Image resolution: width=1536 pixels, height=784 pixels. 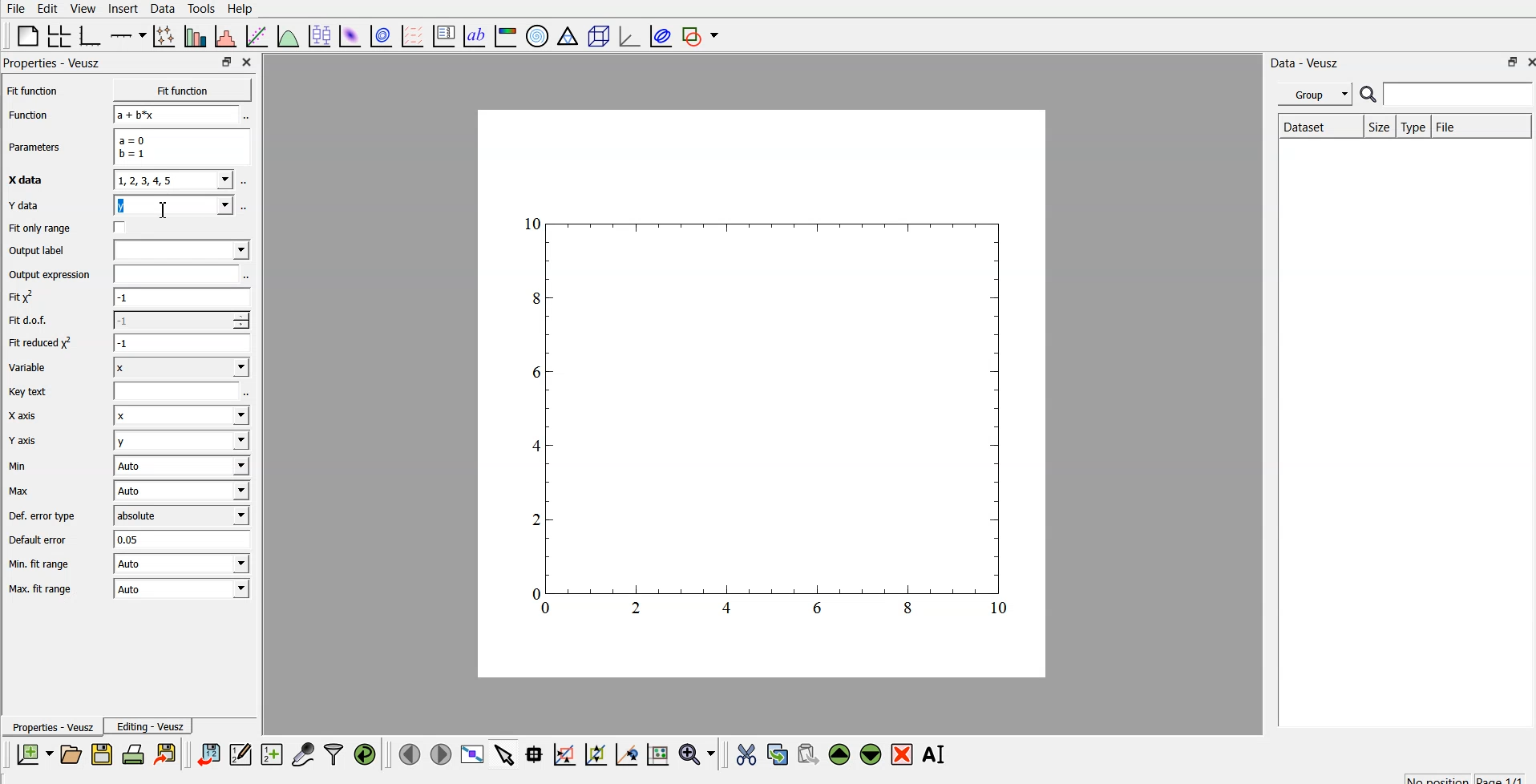 What do you see at coordinates (155, 725) in the screenshot?
I see `Editing - Veusz` at bounding box center [155, 725].